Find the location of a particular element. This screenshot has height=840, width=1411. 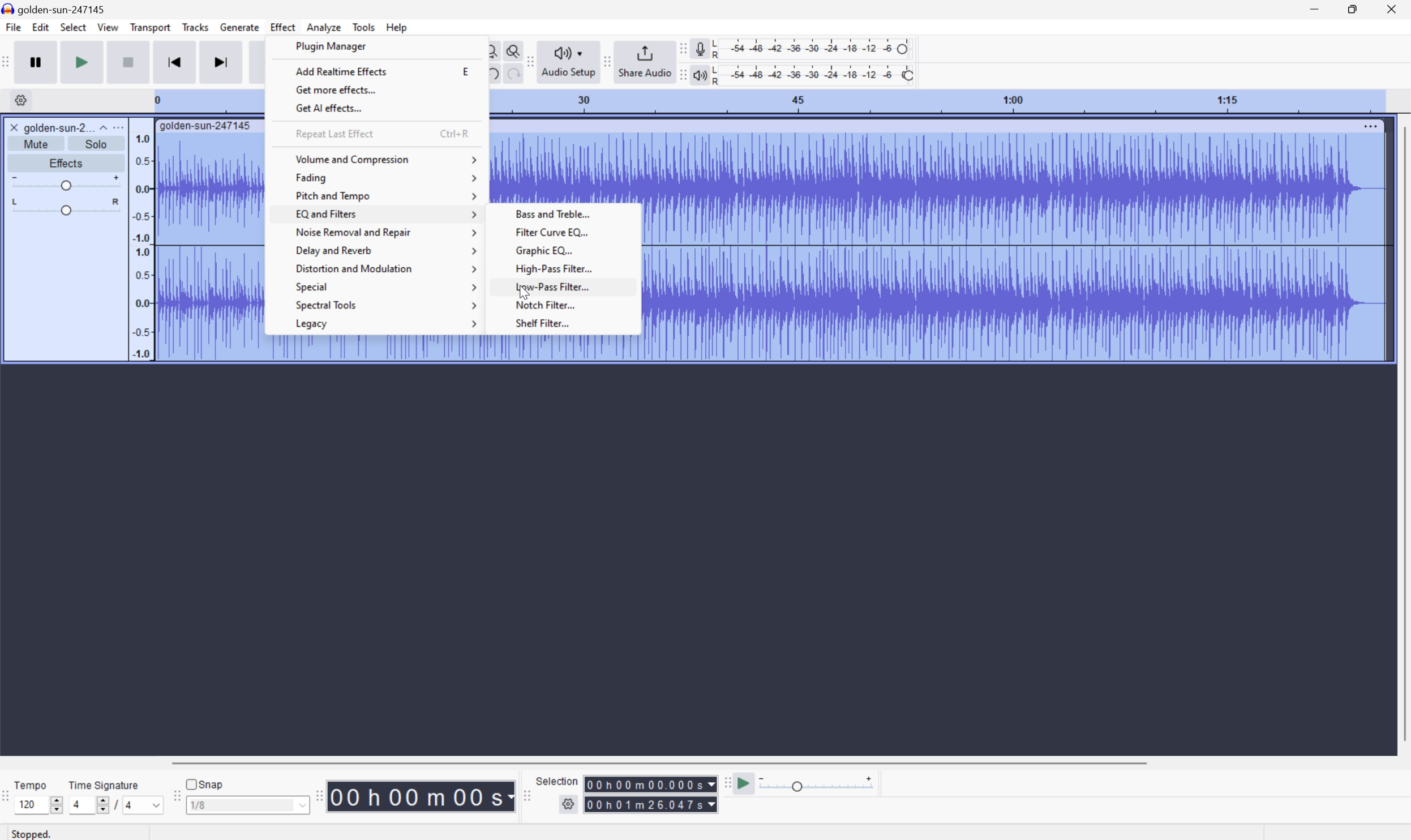

Audacity share audio toolbar is located at coordinates (608, 61).